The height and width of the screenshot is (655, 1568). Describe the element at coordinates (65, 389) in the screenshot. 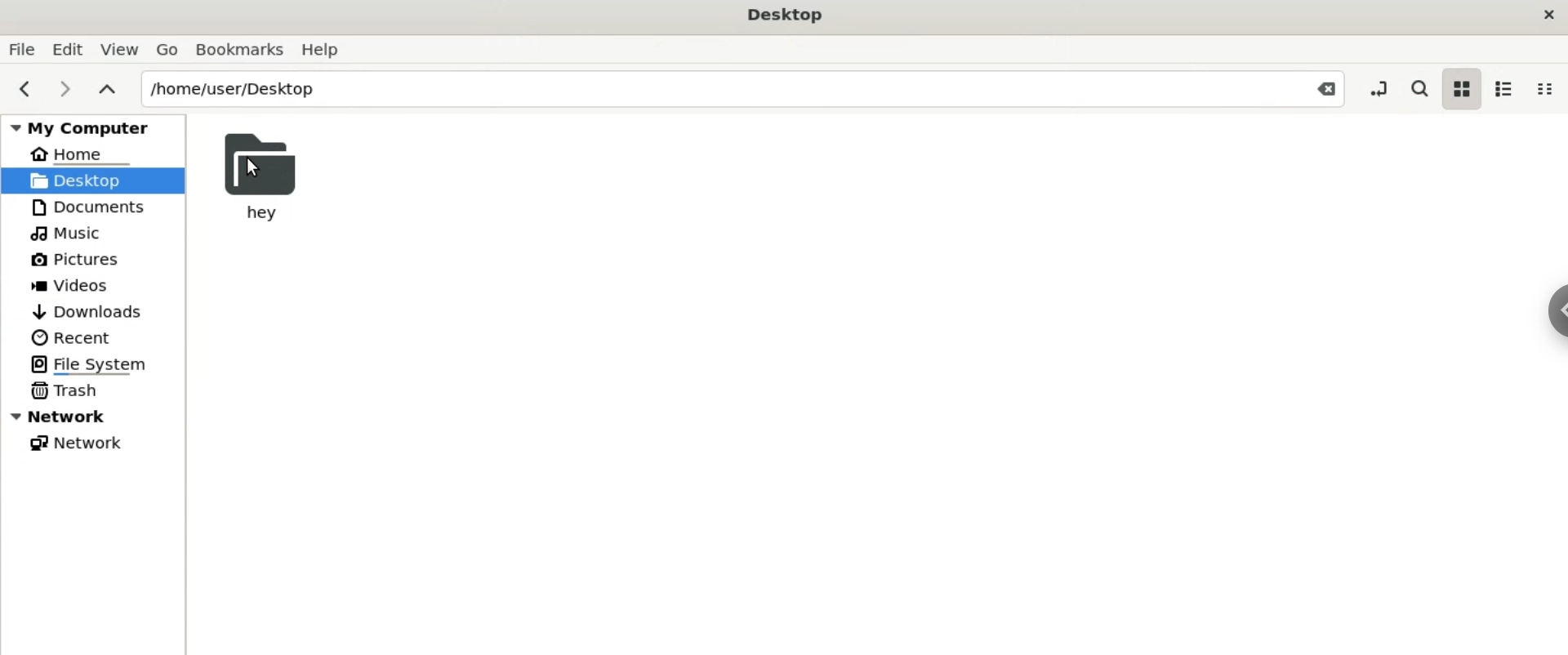

I see `trash` at that location.